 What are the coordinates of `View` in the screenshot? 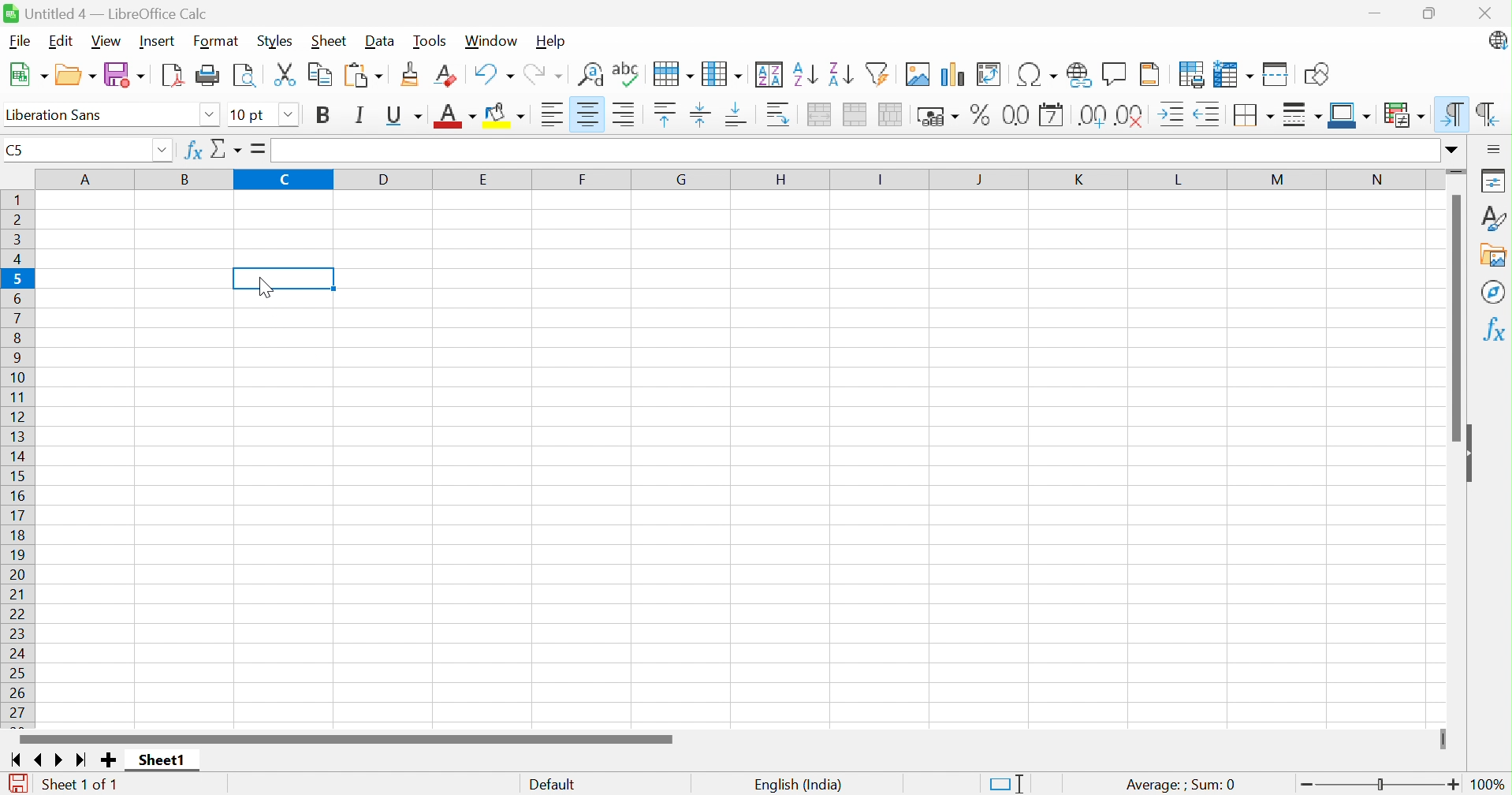 It's located at (110, 41).